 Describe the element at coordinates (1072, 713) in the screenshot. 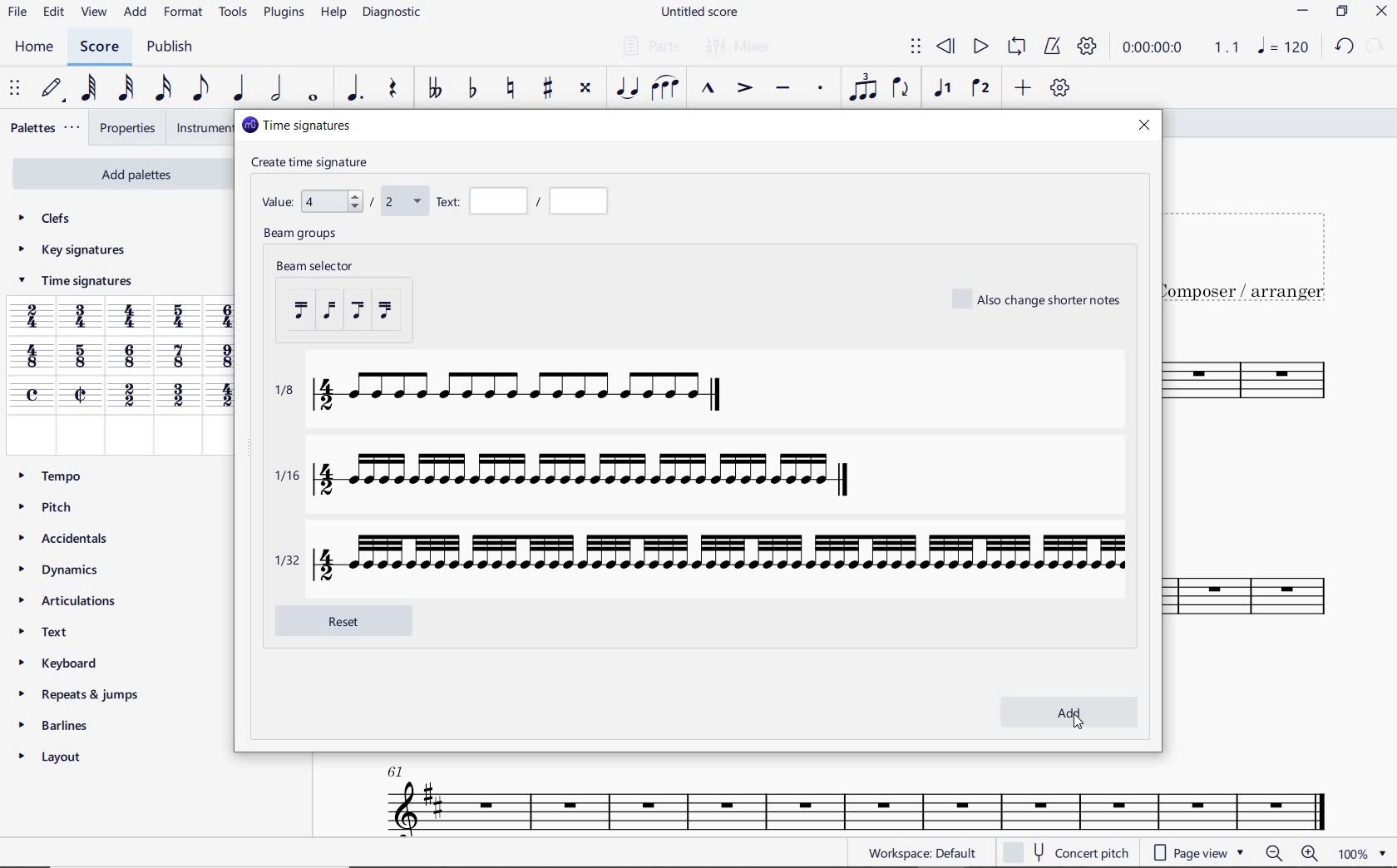

I see `add` at that location.